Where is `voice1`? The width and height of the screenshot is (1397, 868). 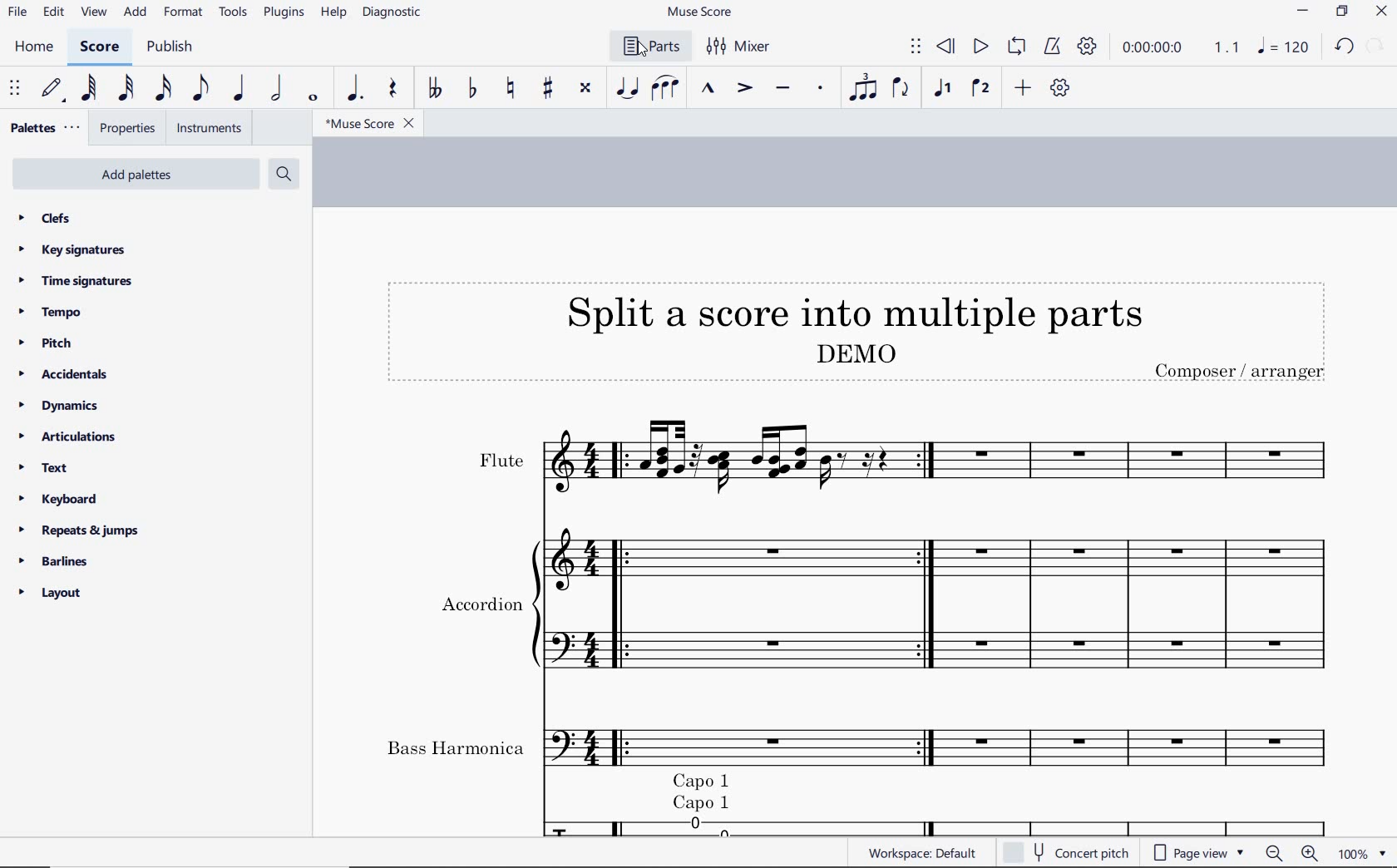
voice1 is located at coordinates (943, 90).